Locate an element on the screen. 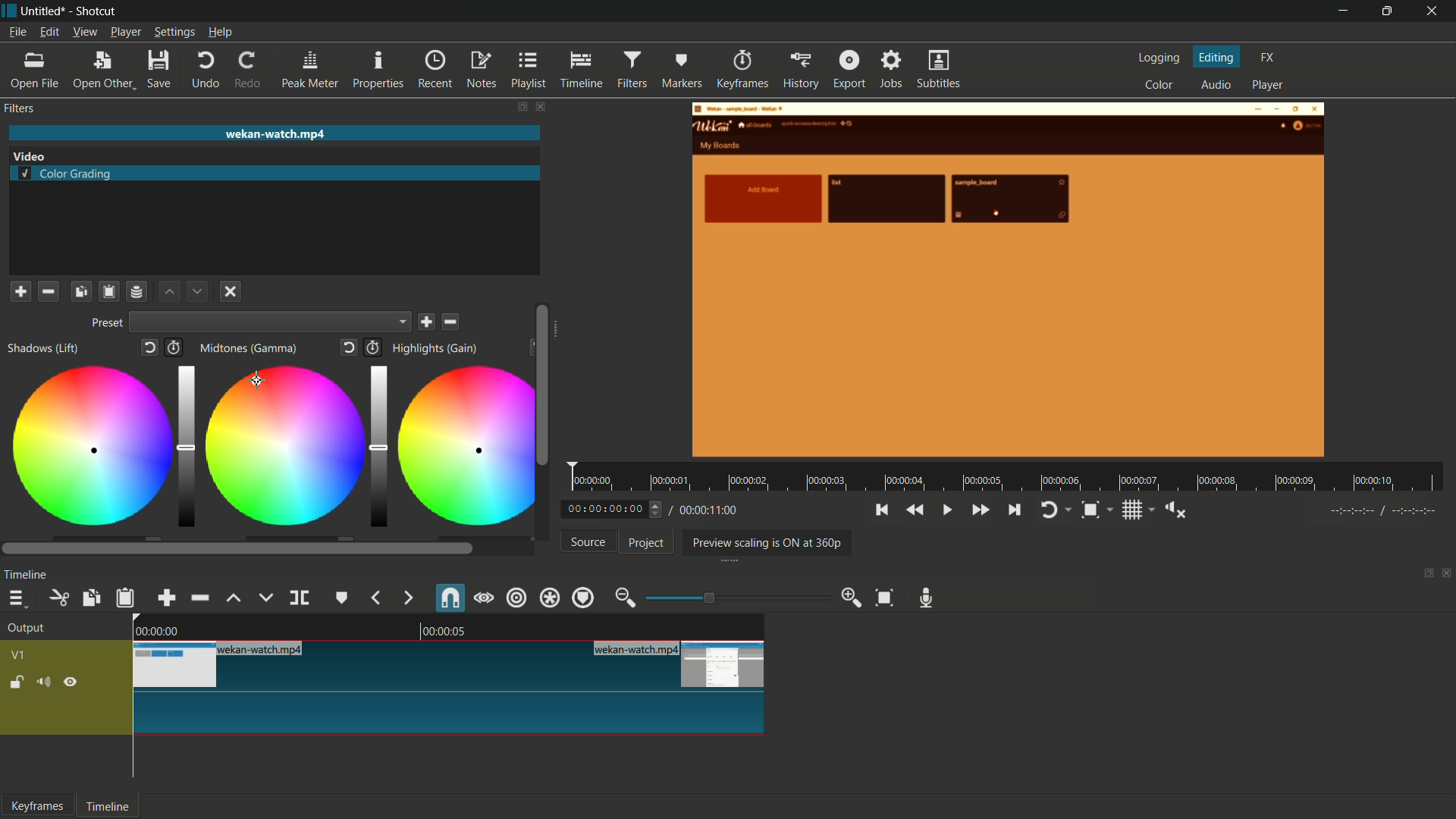 This screenshot has height=819, width=1456. change layout is located at coordinates (1423, 577).